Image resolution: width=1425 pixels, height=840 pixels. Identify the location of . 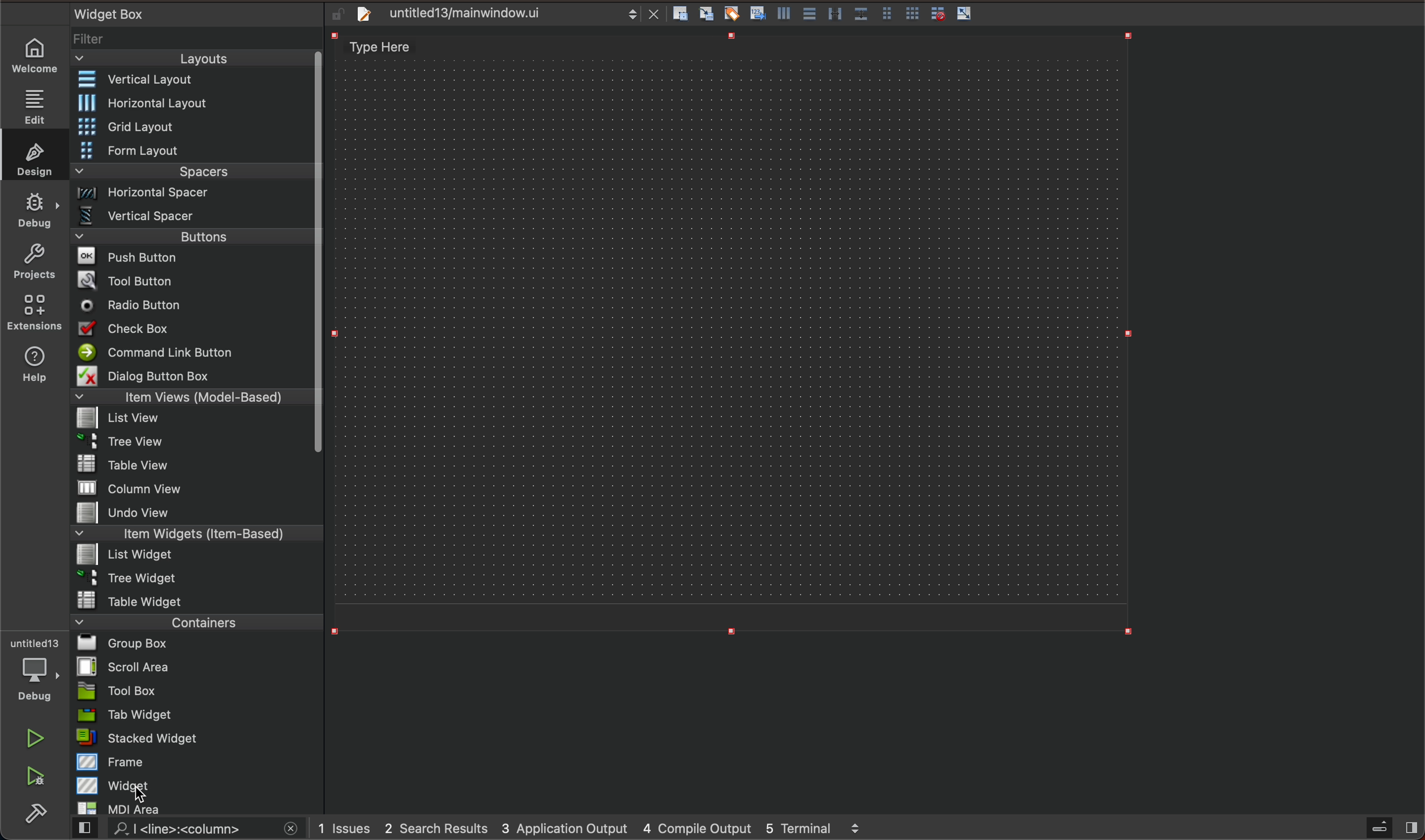
(682, 14).